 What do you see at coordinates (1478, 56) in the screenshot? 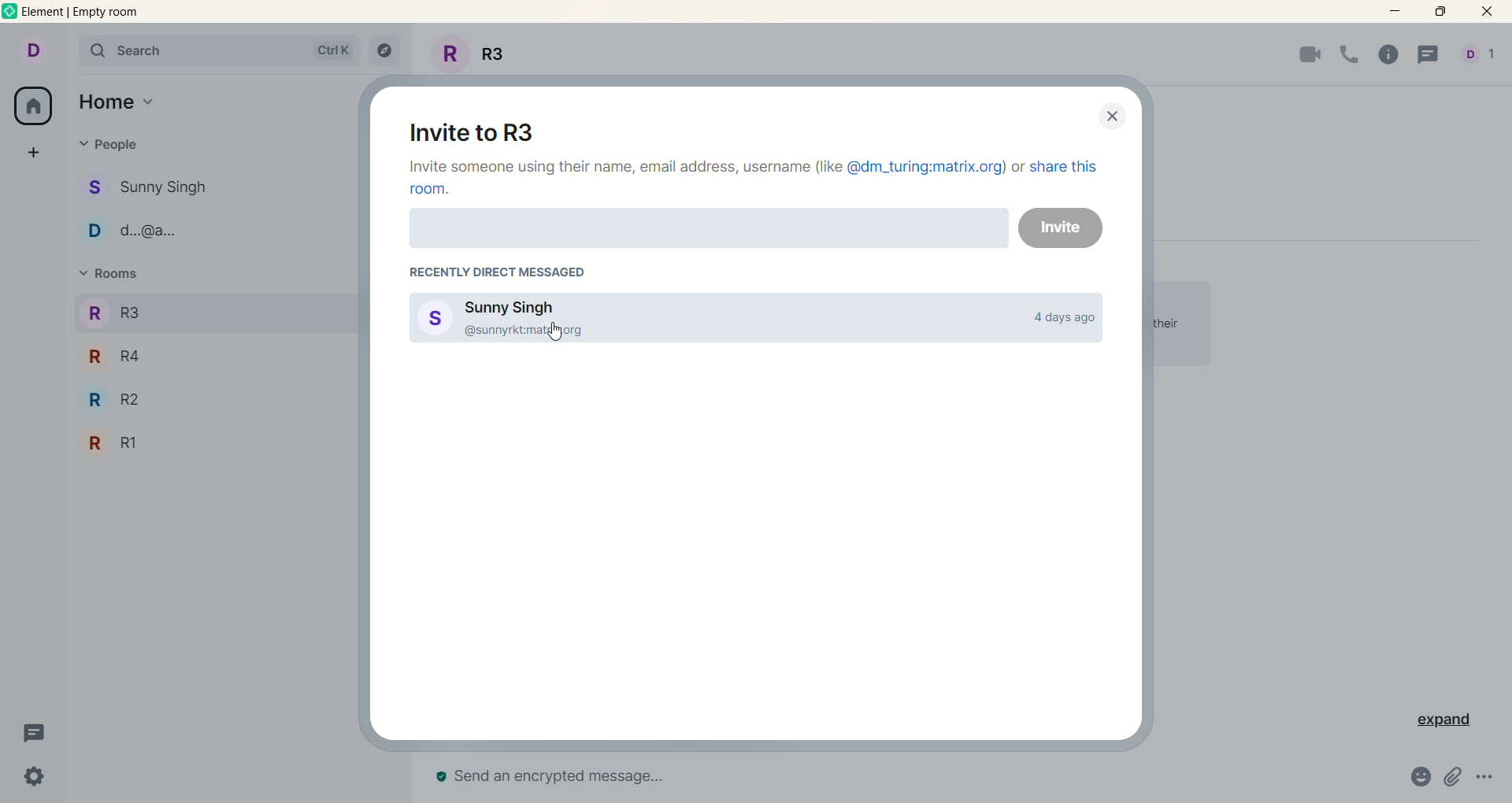
I see `people` at bounding box center [1478, 56].